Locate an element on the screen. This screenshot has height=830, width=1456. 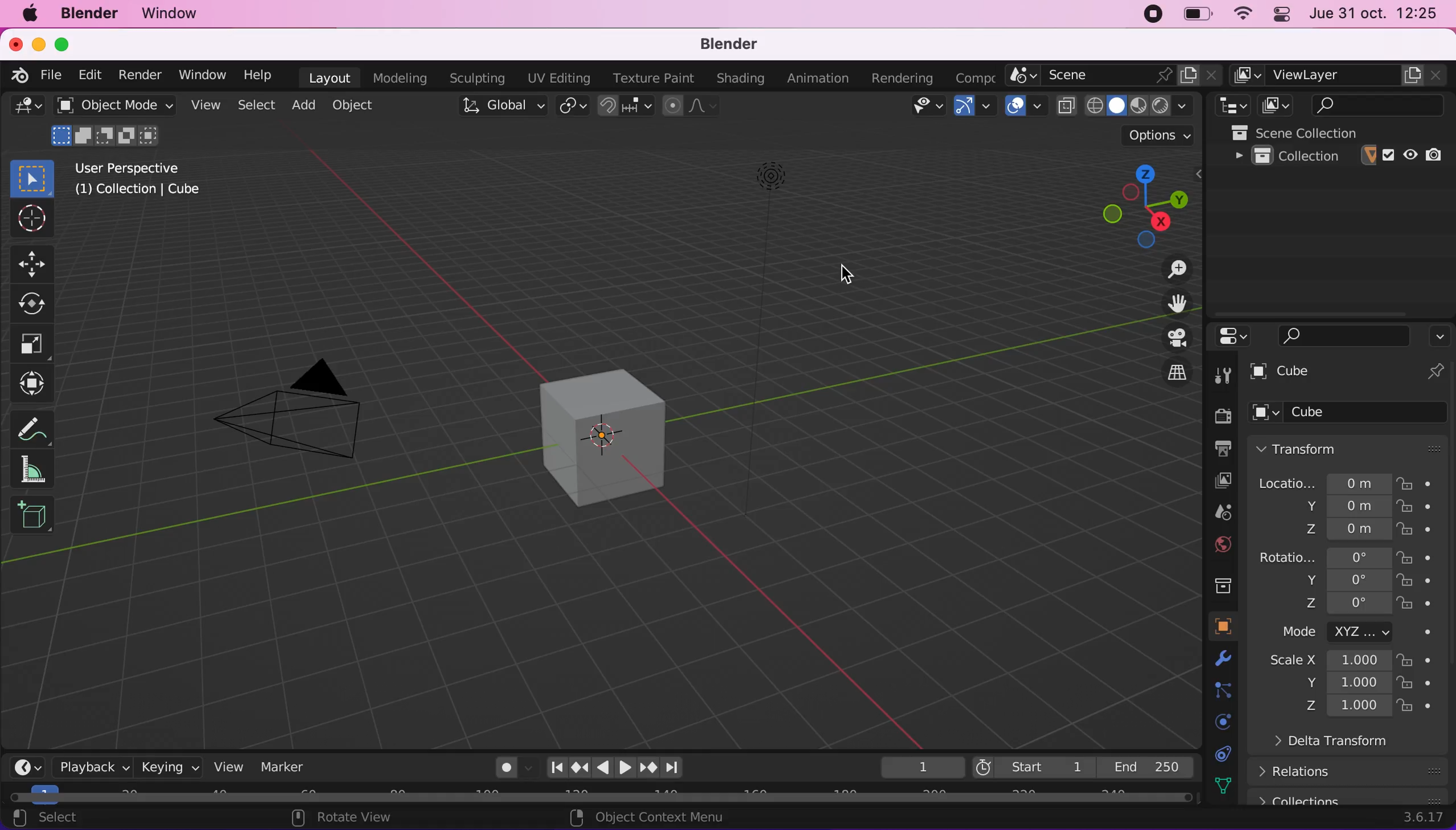
lock is located at coordinates (1427, 582).